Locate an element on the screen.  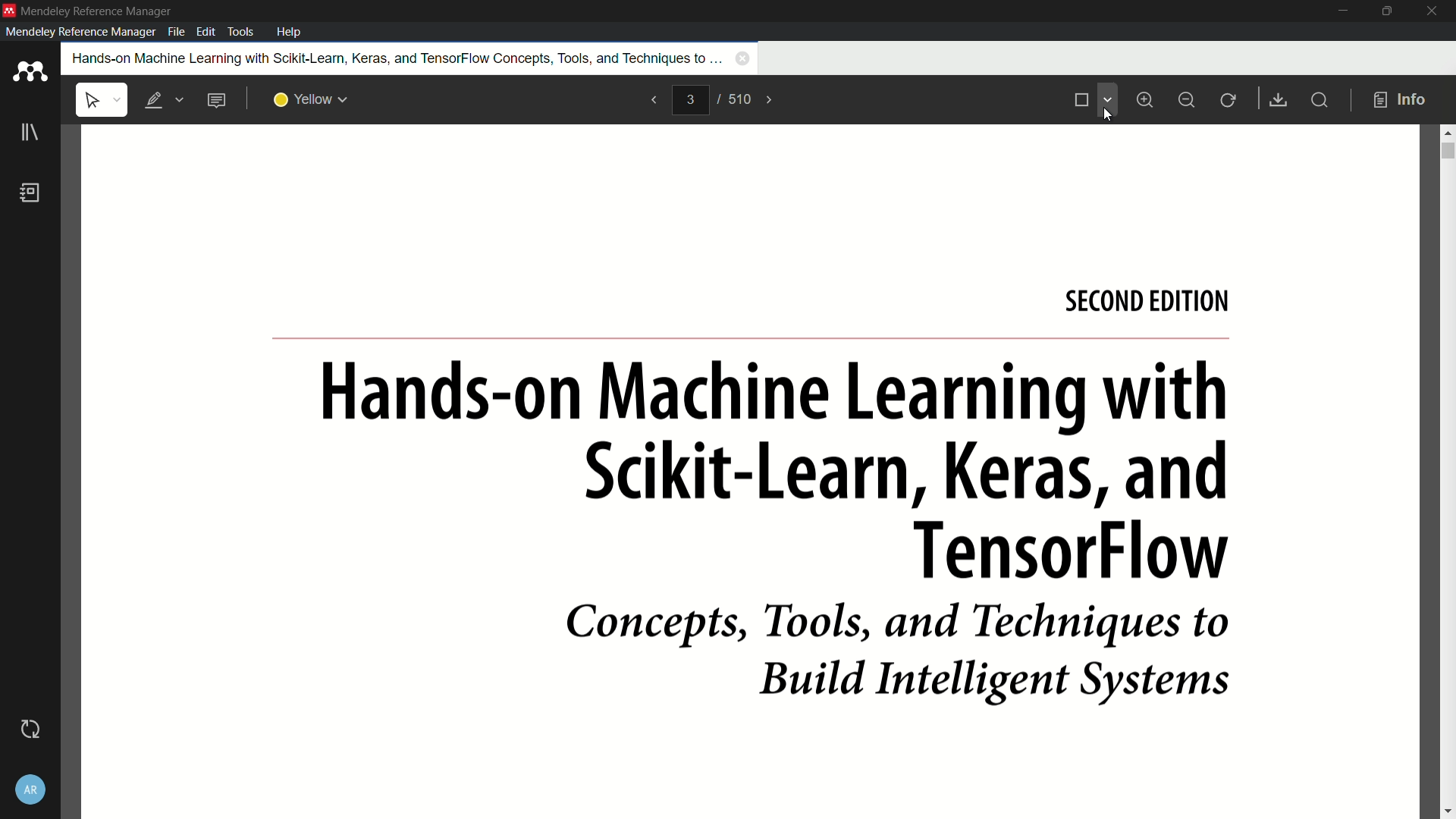
app icon is located at coordinates (9, 11).